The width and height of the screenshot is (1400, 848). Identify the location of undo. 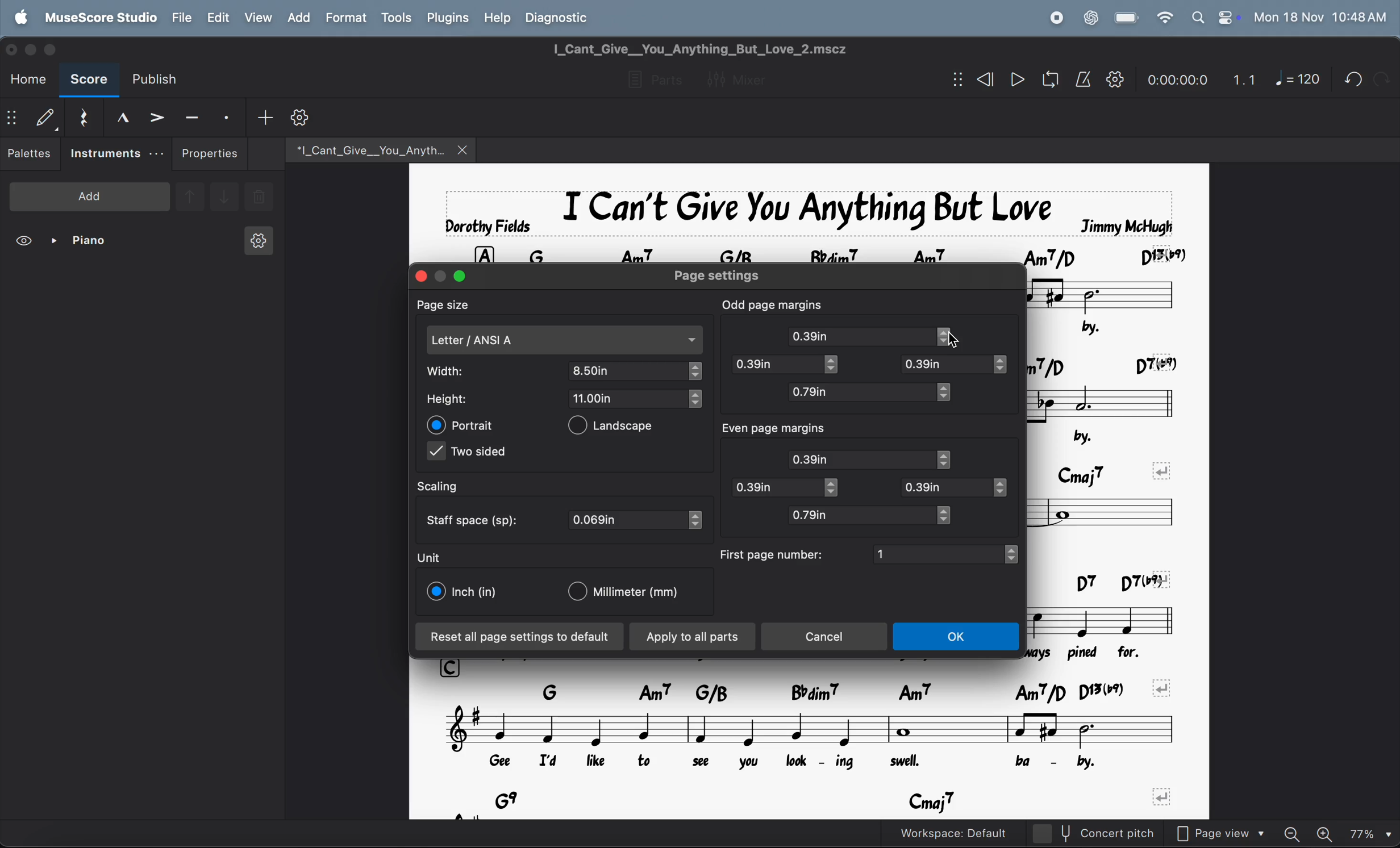
(1381, 78).